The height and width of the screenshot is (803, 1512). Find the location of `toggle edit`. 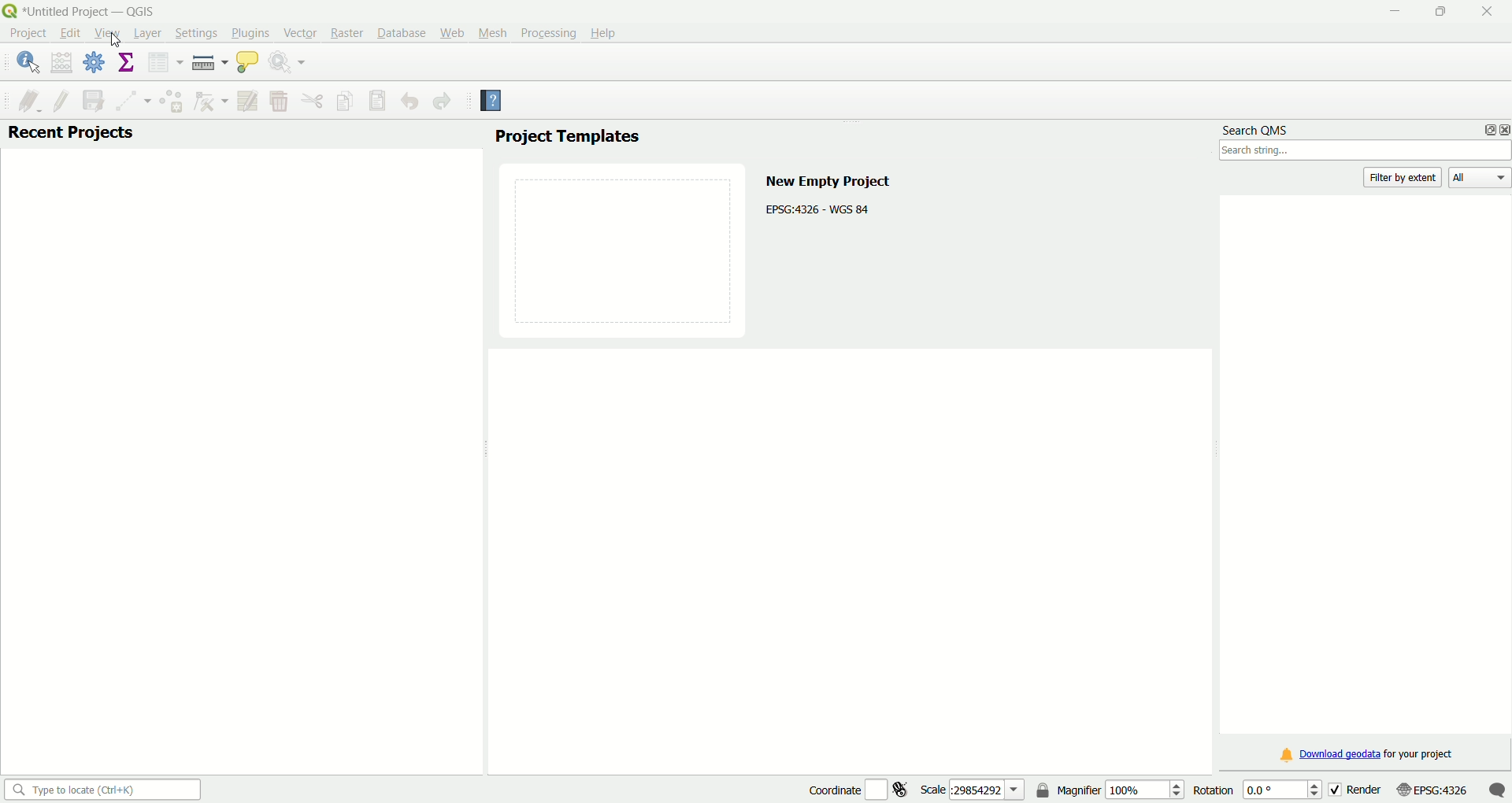

toggle edit is located at coordinates (61, 99).